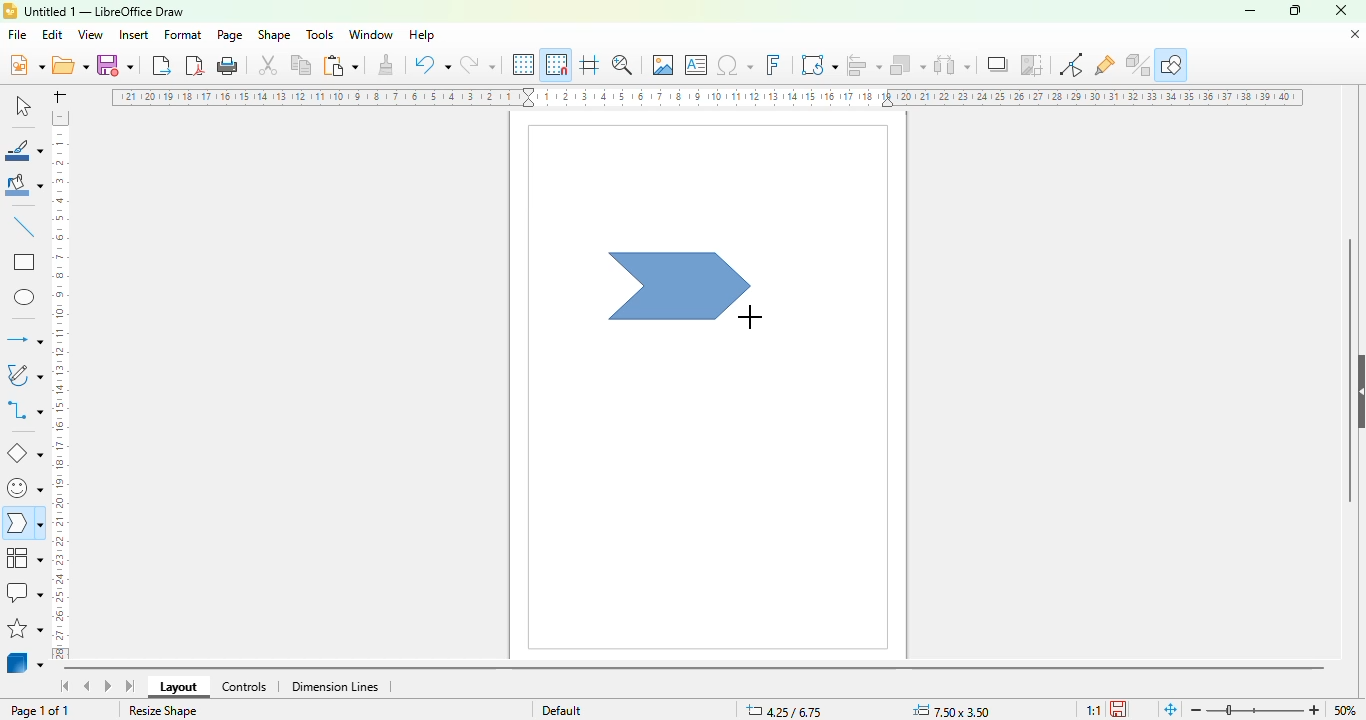 Image resolution: width=1366 pixels, height=720 pixels. I want to click on rectangle, so click(25, 261).